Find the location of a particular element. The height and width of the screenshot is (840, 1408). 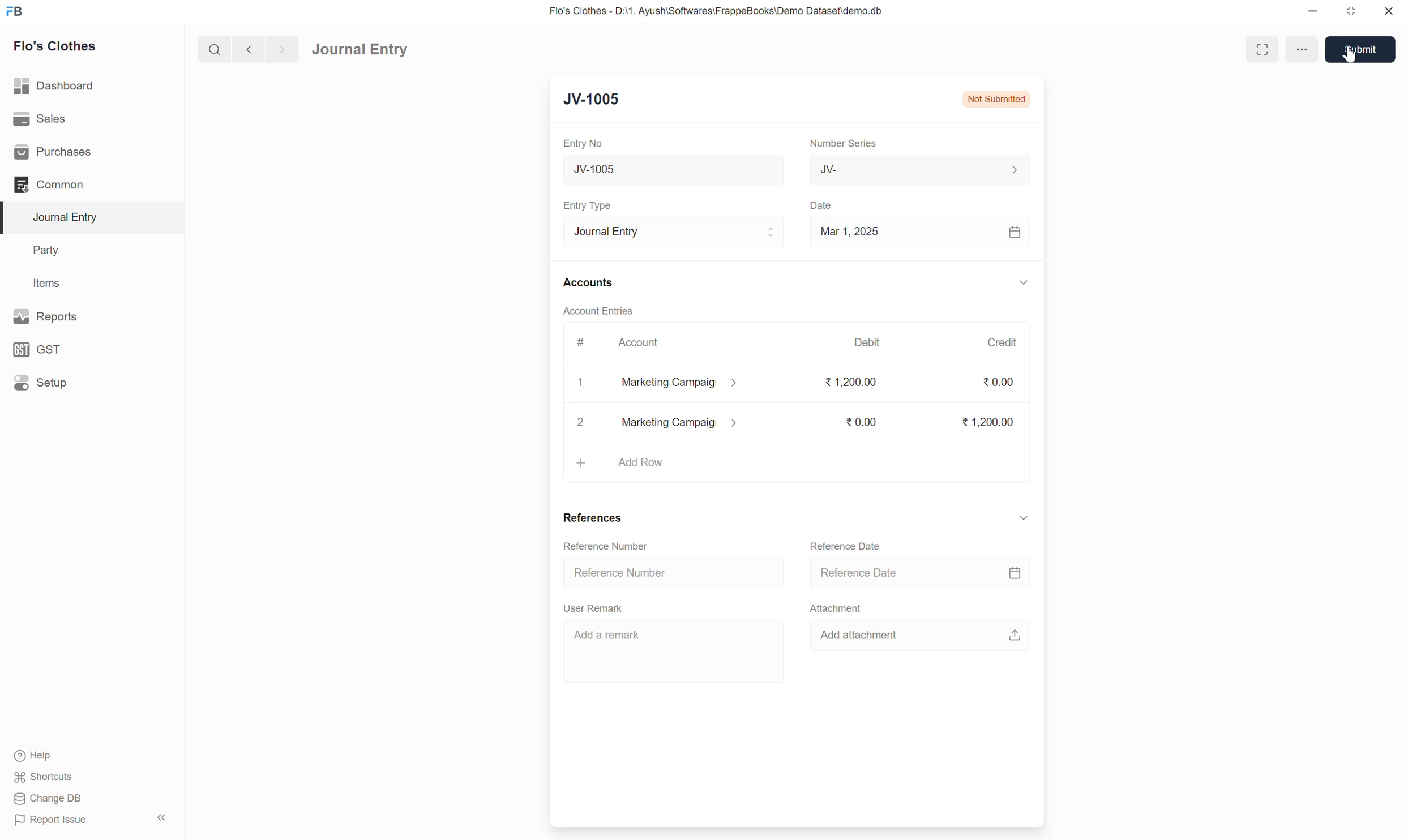

Credit is located at coordinates (1002, 342).